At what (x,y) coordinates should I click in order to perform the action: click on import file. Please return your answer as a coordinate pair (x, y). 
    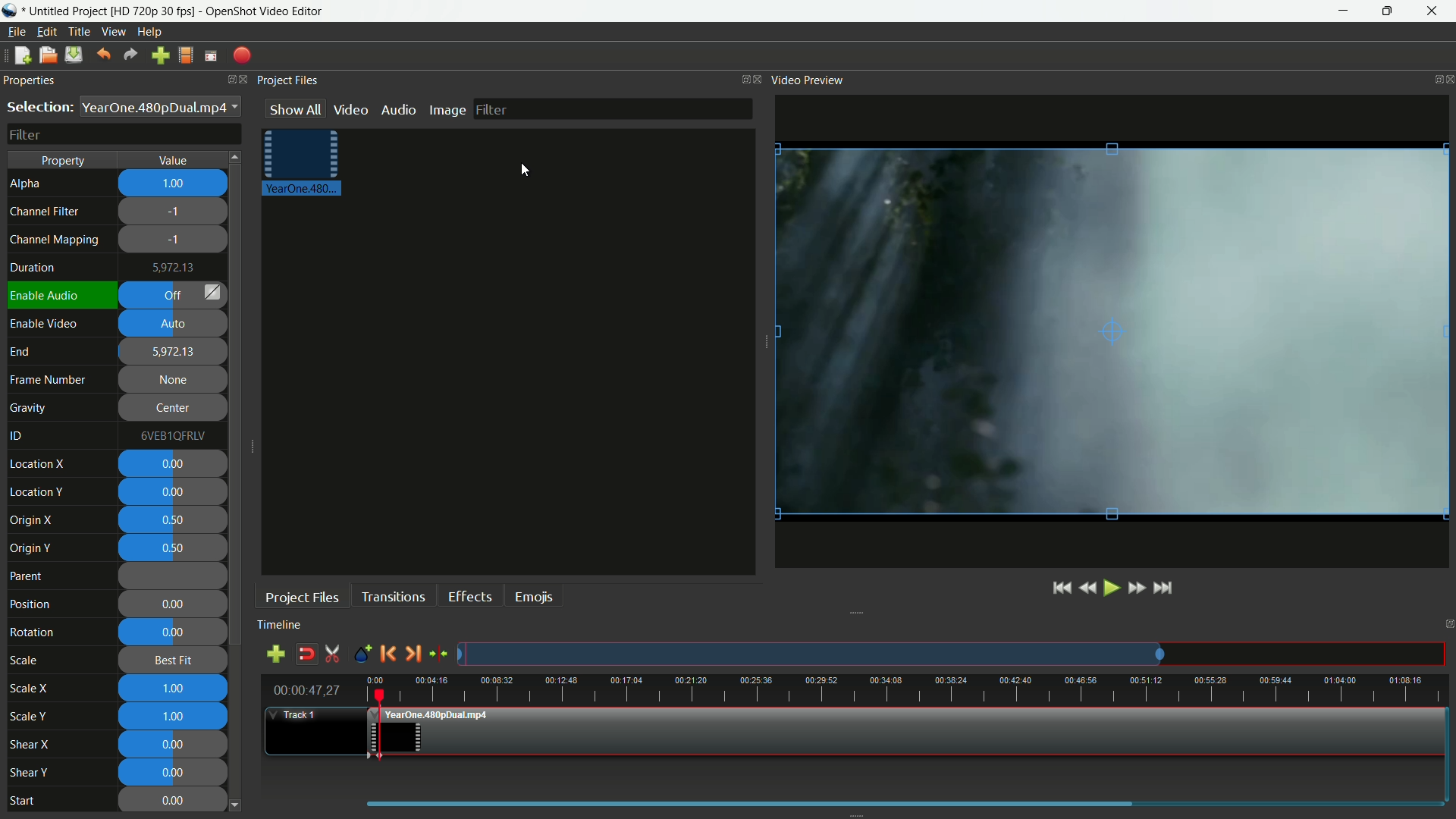
    Looking at the image, I should click on (160, 56).